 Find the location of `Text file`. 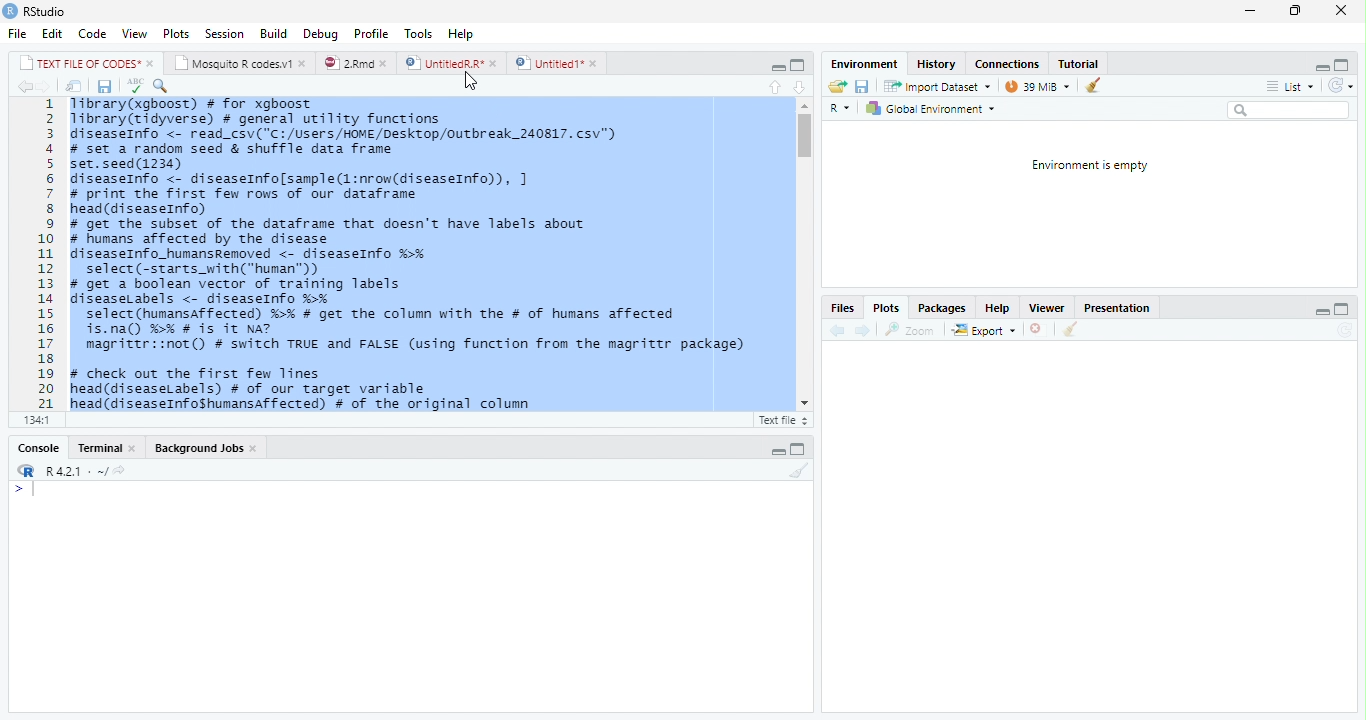

Text file is located at coordinates (783, 418).